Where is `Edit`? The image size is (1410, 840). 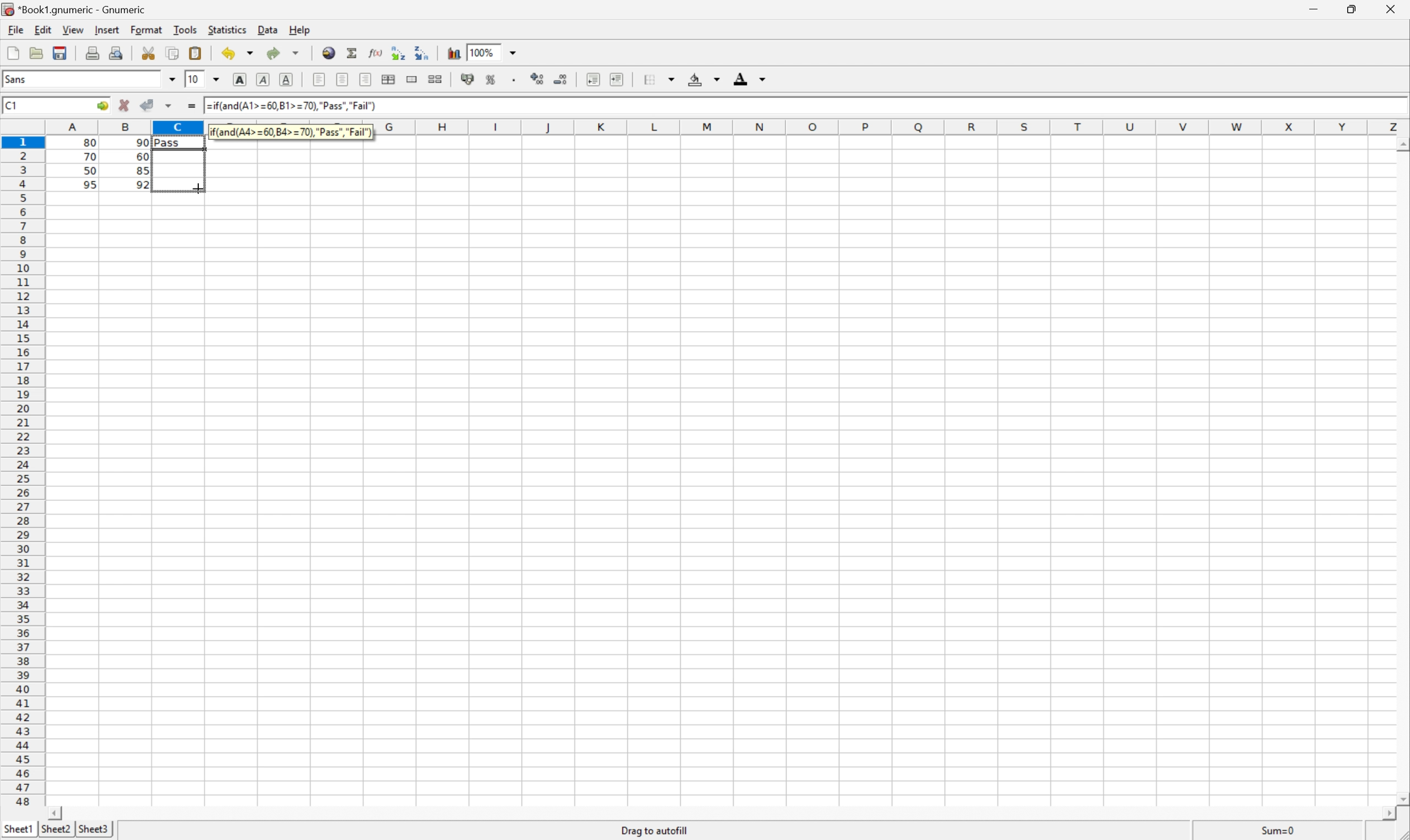
Edit is located at coordinates (42, 31).